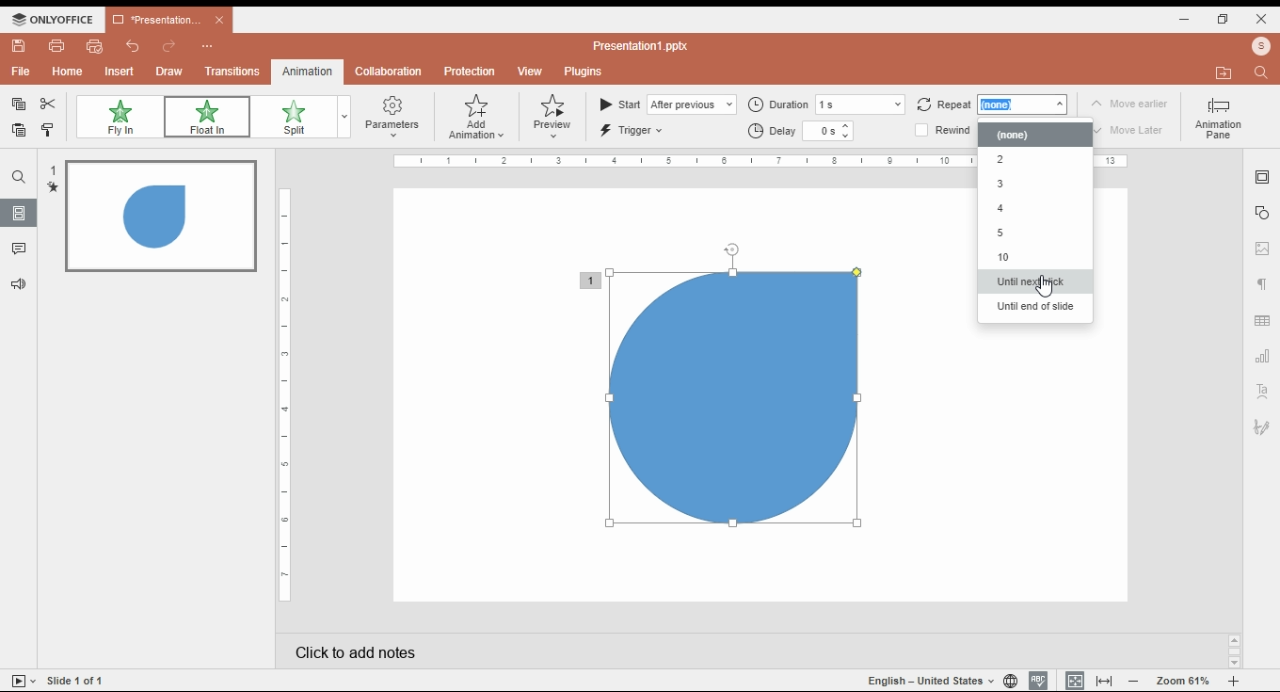 This screenshot has height=692, width=1280. Describe the element at coordinates (207, 44) in the screenshot. I see `more` at that location.